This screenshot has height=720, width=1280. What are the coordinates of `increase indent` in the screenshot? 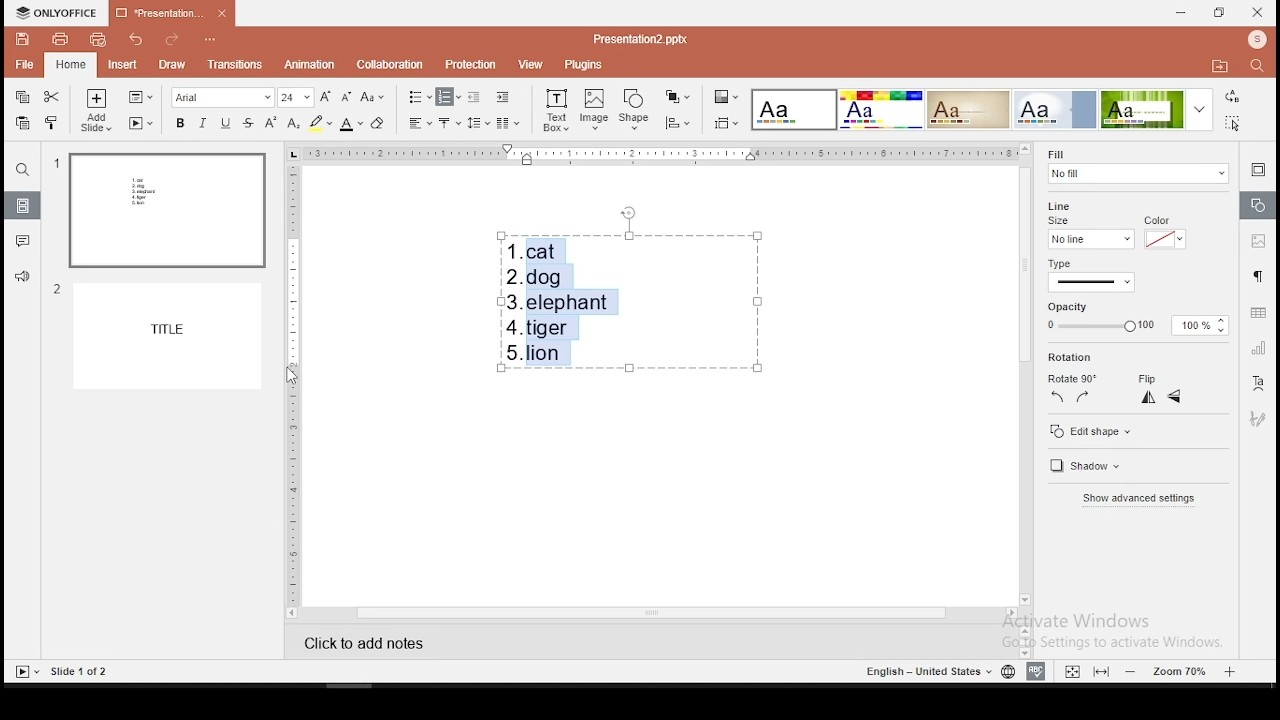 It's located at (504, 98).